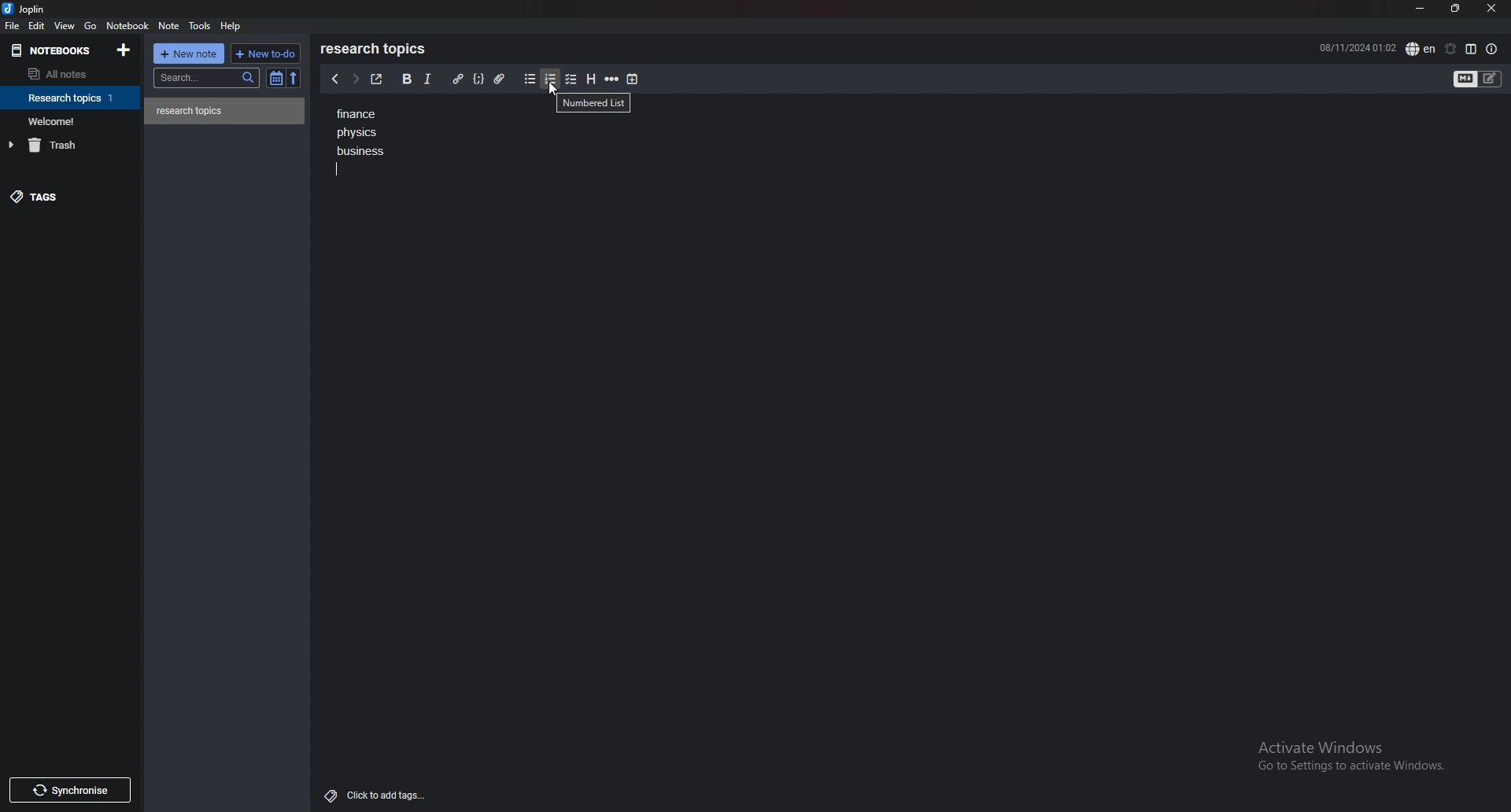  Describe the element at coordinates (1449, 49) in the screenshot. I see `set alarm` at that location.